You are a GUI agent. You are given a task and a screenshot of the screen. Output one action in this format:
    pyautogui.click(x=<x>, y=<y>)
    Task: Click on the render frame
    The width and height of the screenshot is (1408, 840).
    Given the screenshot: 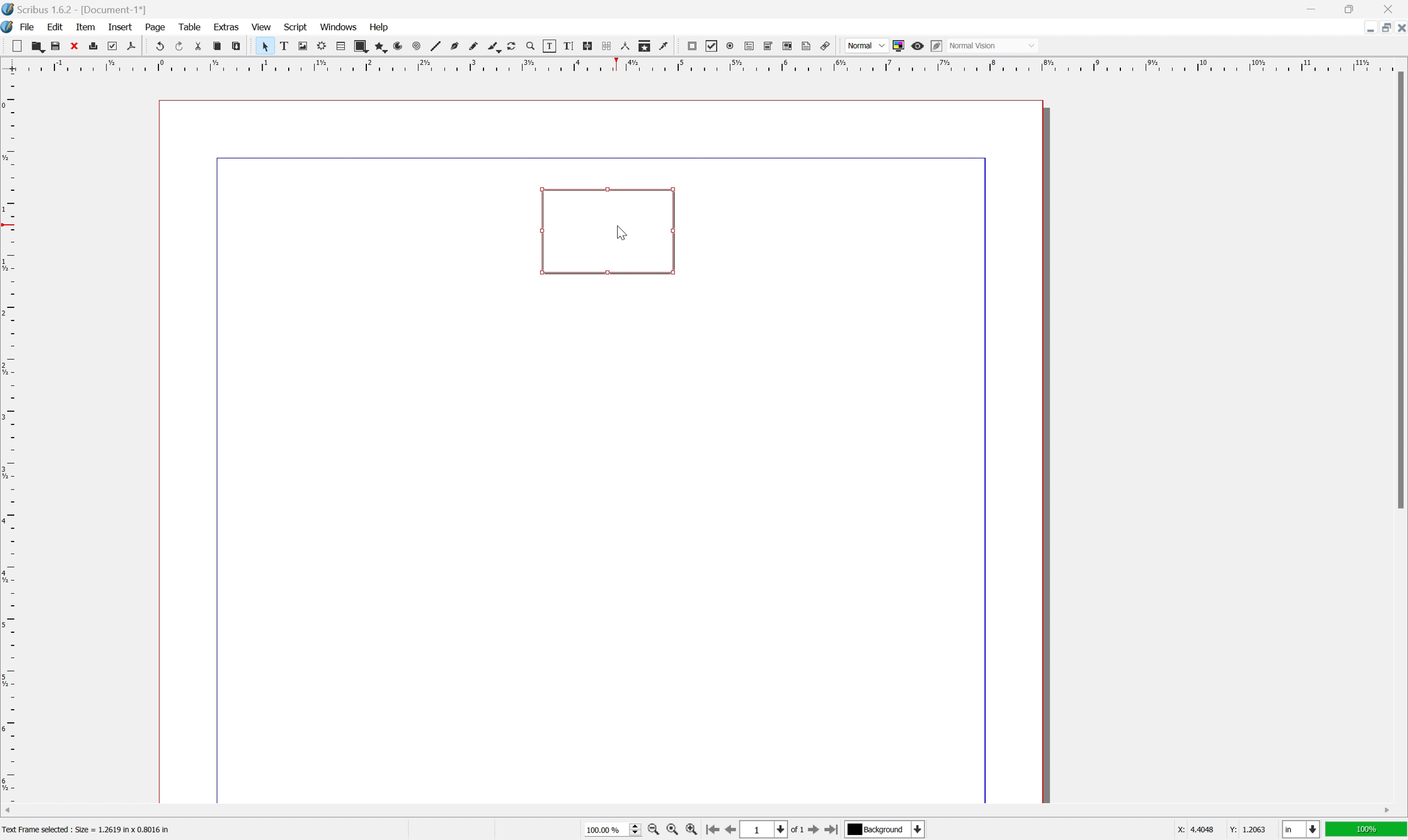 What is the action you would take?
    pyautogui.click(x=322, y=44)
    